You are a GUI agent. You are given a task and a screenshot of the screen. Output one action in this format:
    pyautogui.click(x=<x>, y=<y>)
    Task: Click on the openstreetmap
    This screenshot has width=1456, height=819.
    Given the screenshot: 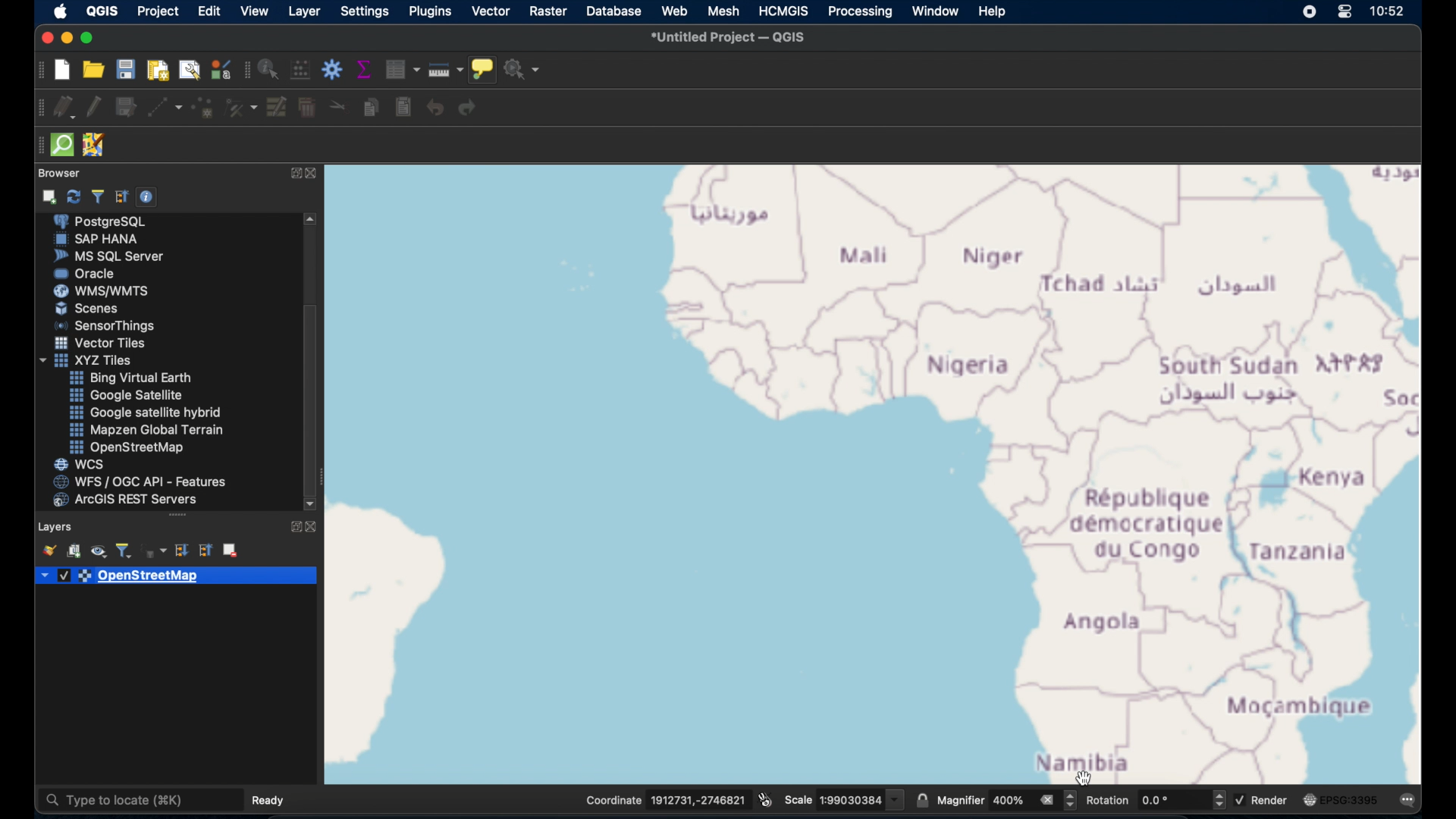 What is the action you would take?
    pyautogui.click(x=133, y=578)
    